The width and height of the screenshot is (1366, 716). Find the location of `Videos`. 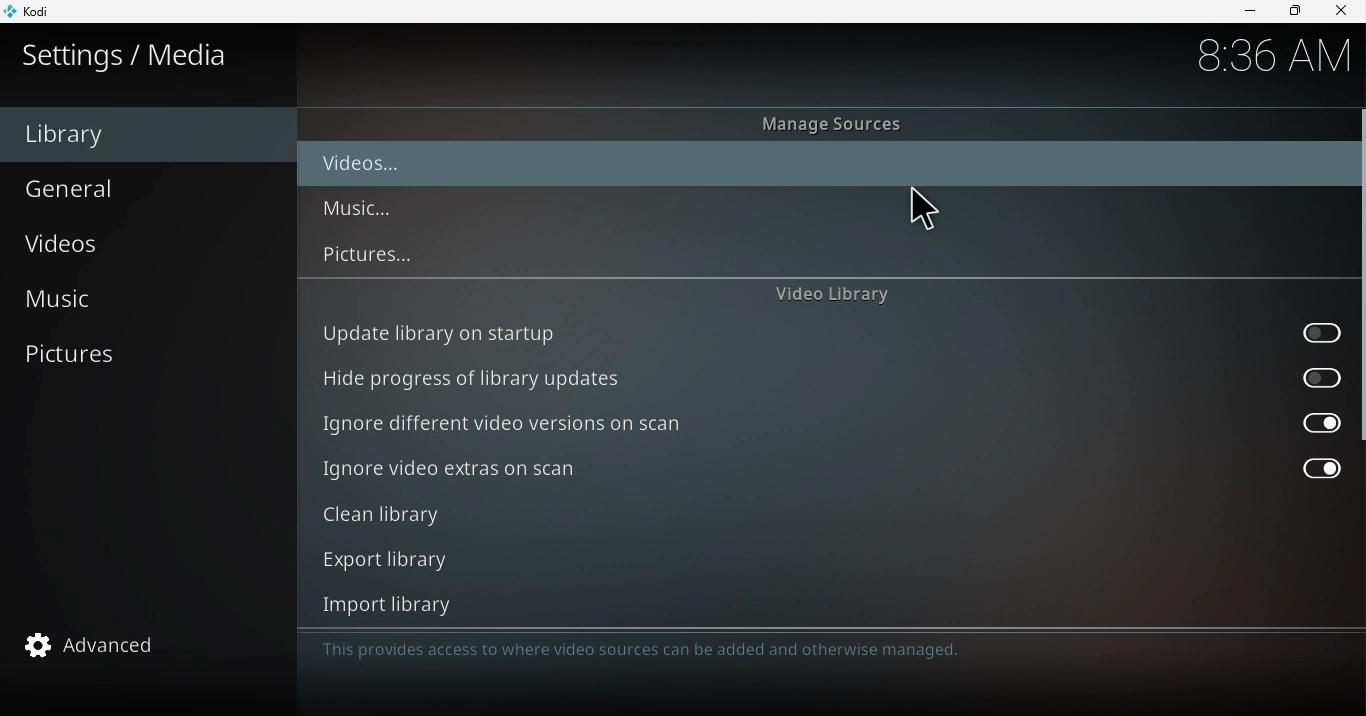

Videos is located at coordinates (145, 247).